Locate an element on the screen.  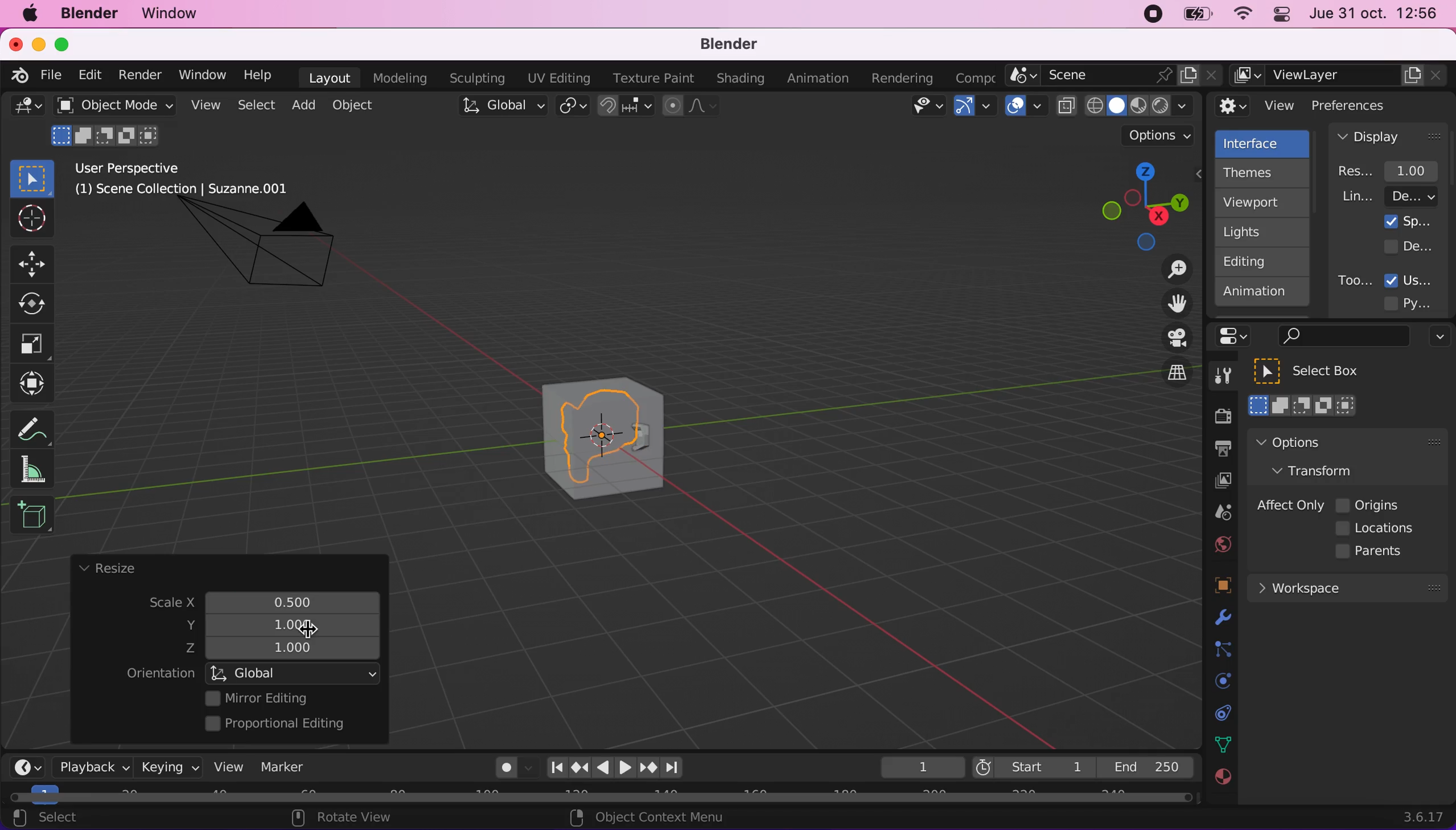
scene is located at coordinates (1114, 76).